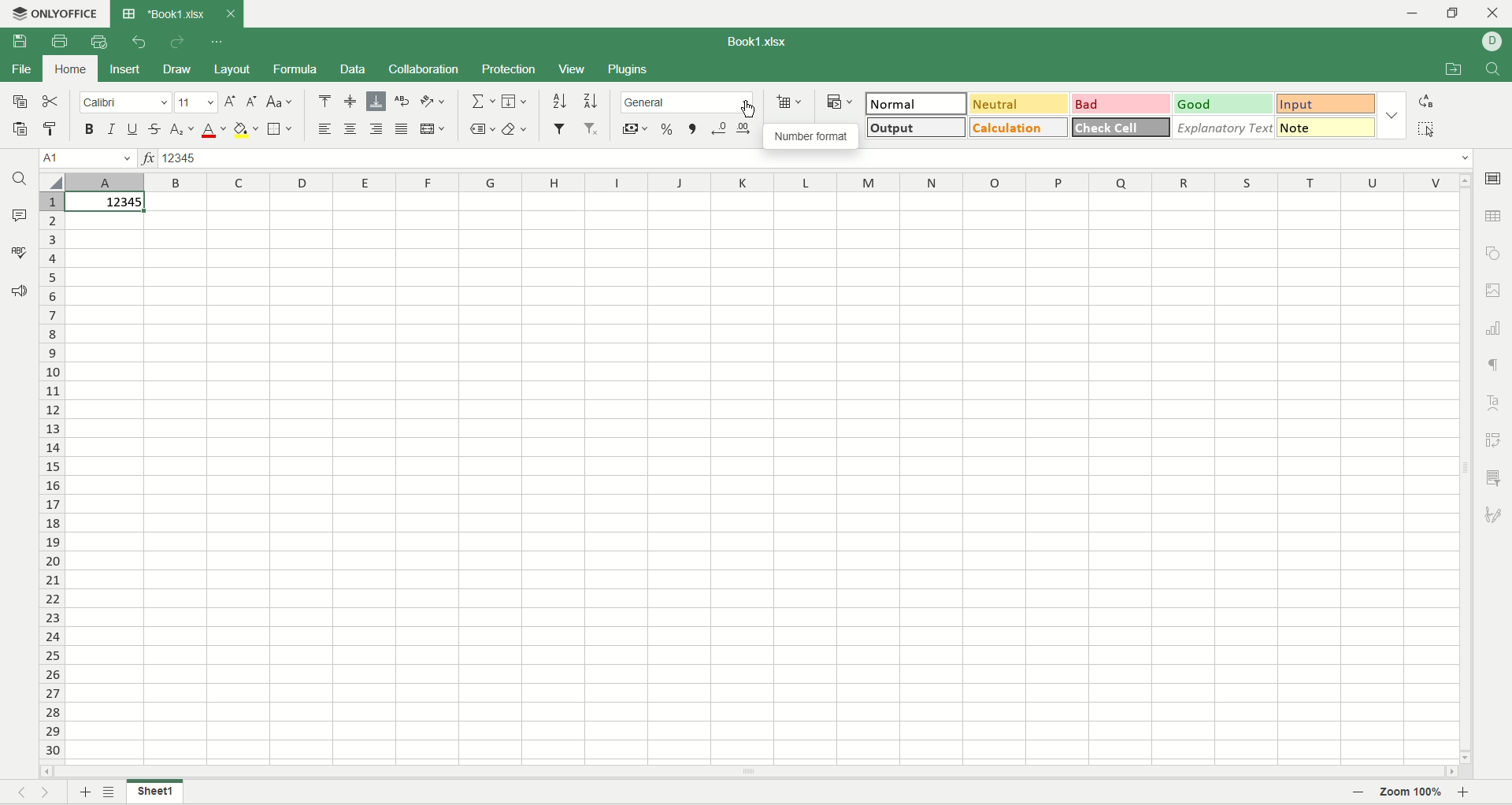 The height and width of the screenshot is (805, 1512). What do you see at coordinates (353, 70) in the screenshot?
I see `data` at bounding box center [353, 70].